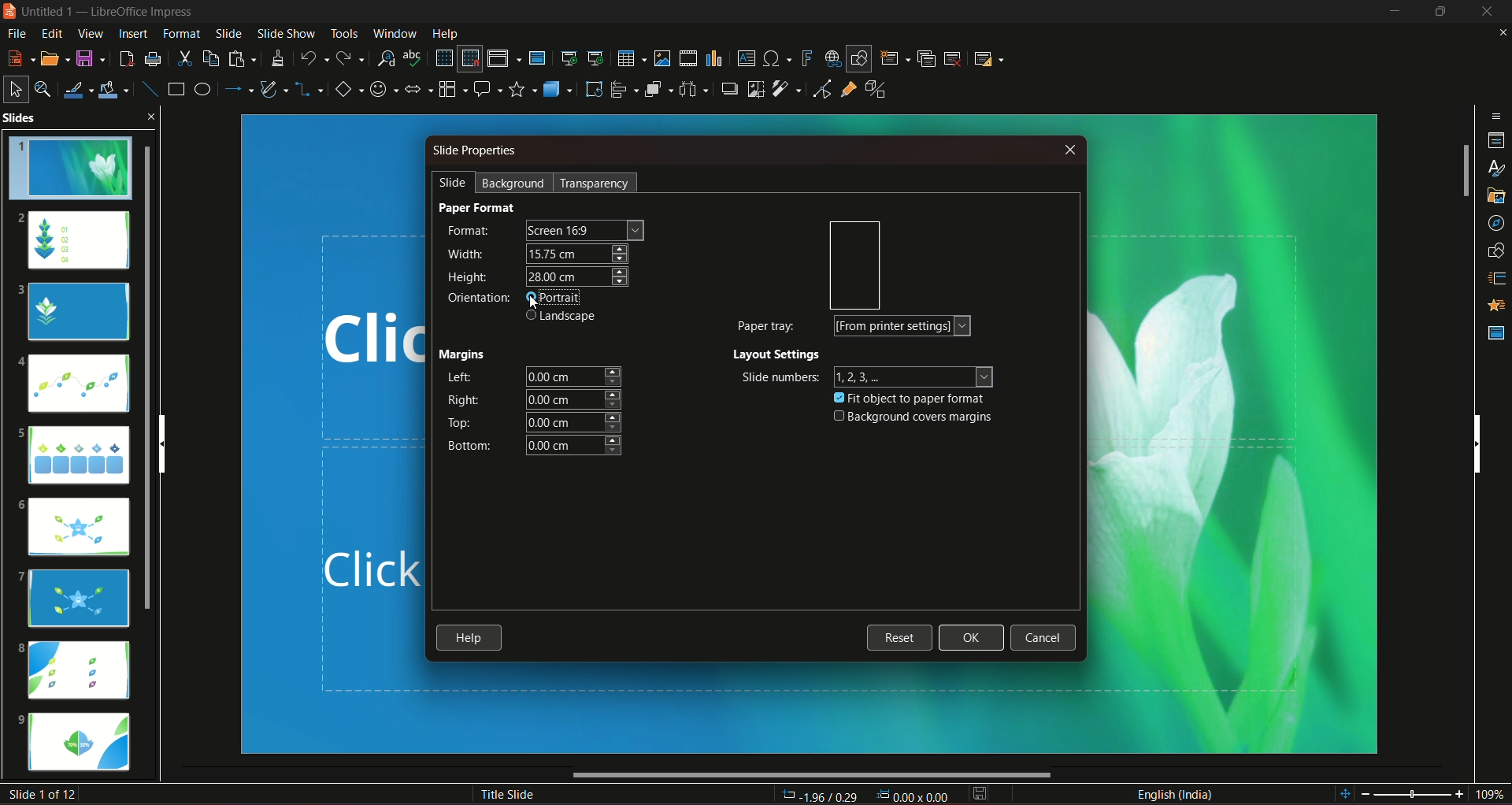  What do you see at coordinates (1496, 114) in the screenshot?
I see `sidebar settings` at bounding box center [1496, 114].